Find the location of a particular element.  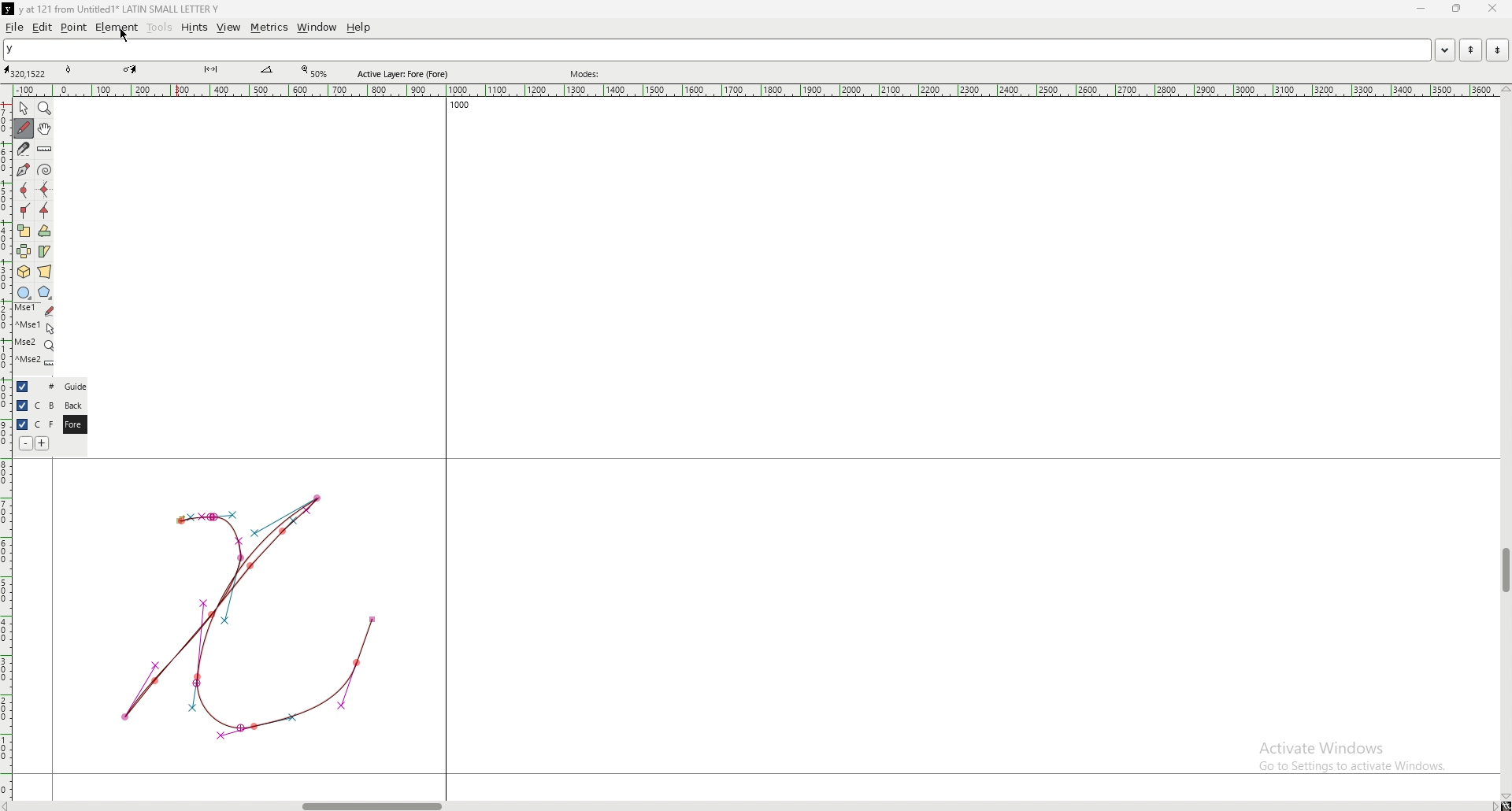

mse 1 is located at coordinates (35, 326).